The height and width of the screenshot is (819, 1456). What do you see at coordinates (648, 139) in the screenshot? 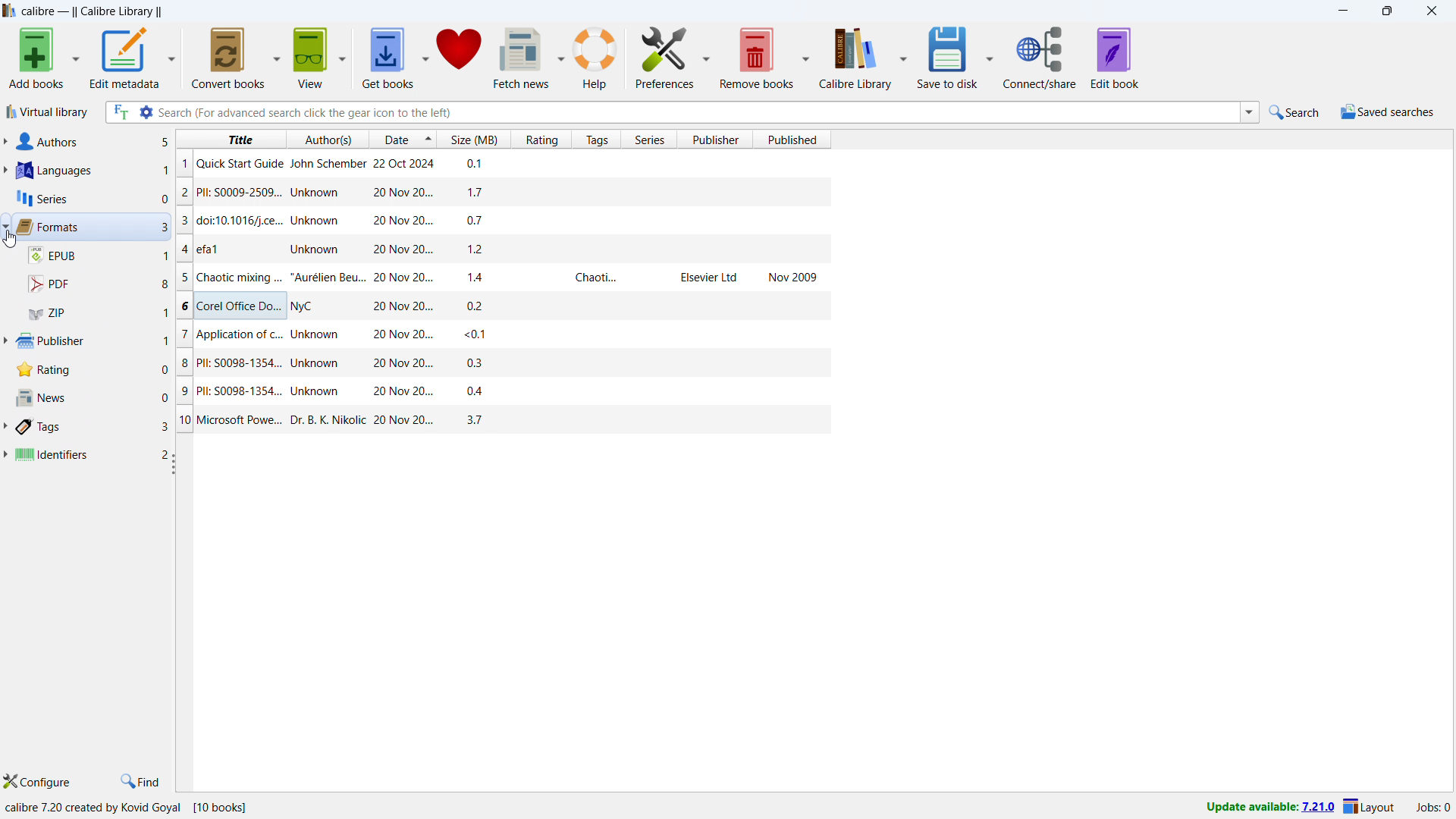
I see `sort by series` at bounding box center [648, 139].